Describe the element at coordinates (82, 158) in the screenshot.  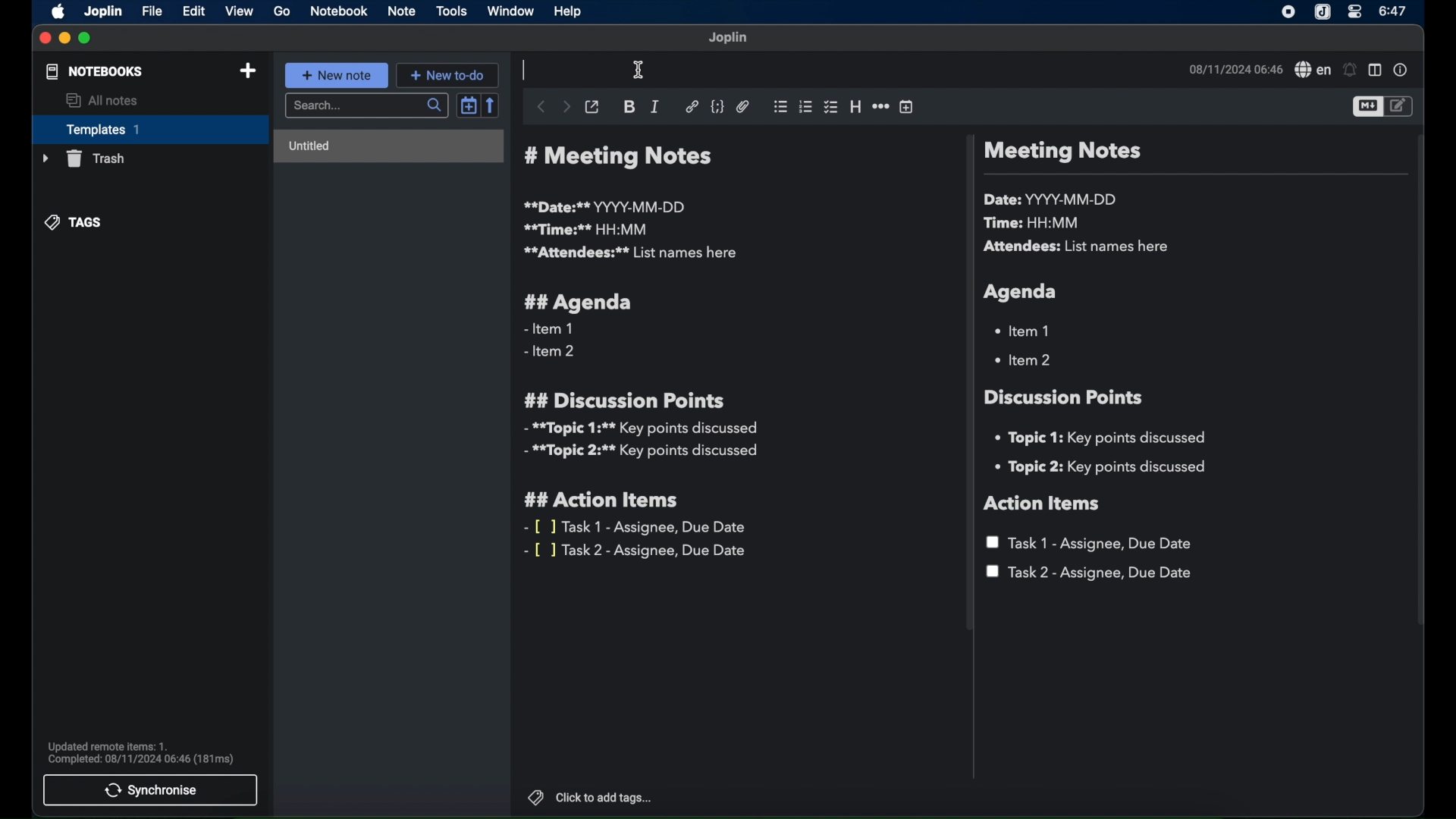
I see `trash` at that location.